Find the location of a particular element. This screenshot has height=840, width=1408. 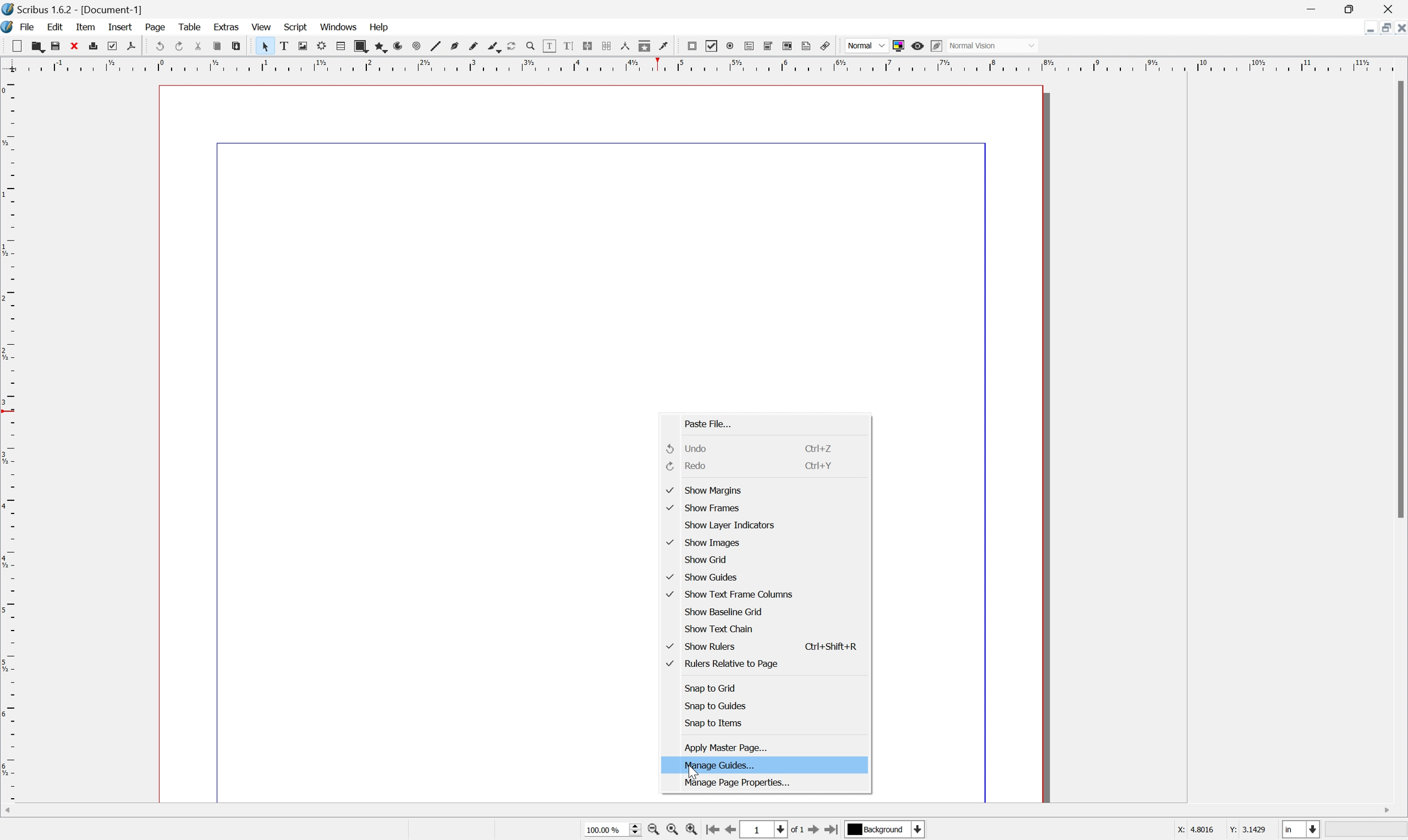

show layer indicators is located at coordinates (730, 525).